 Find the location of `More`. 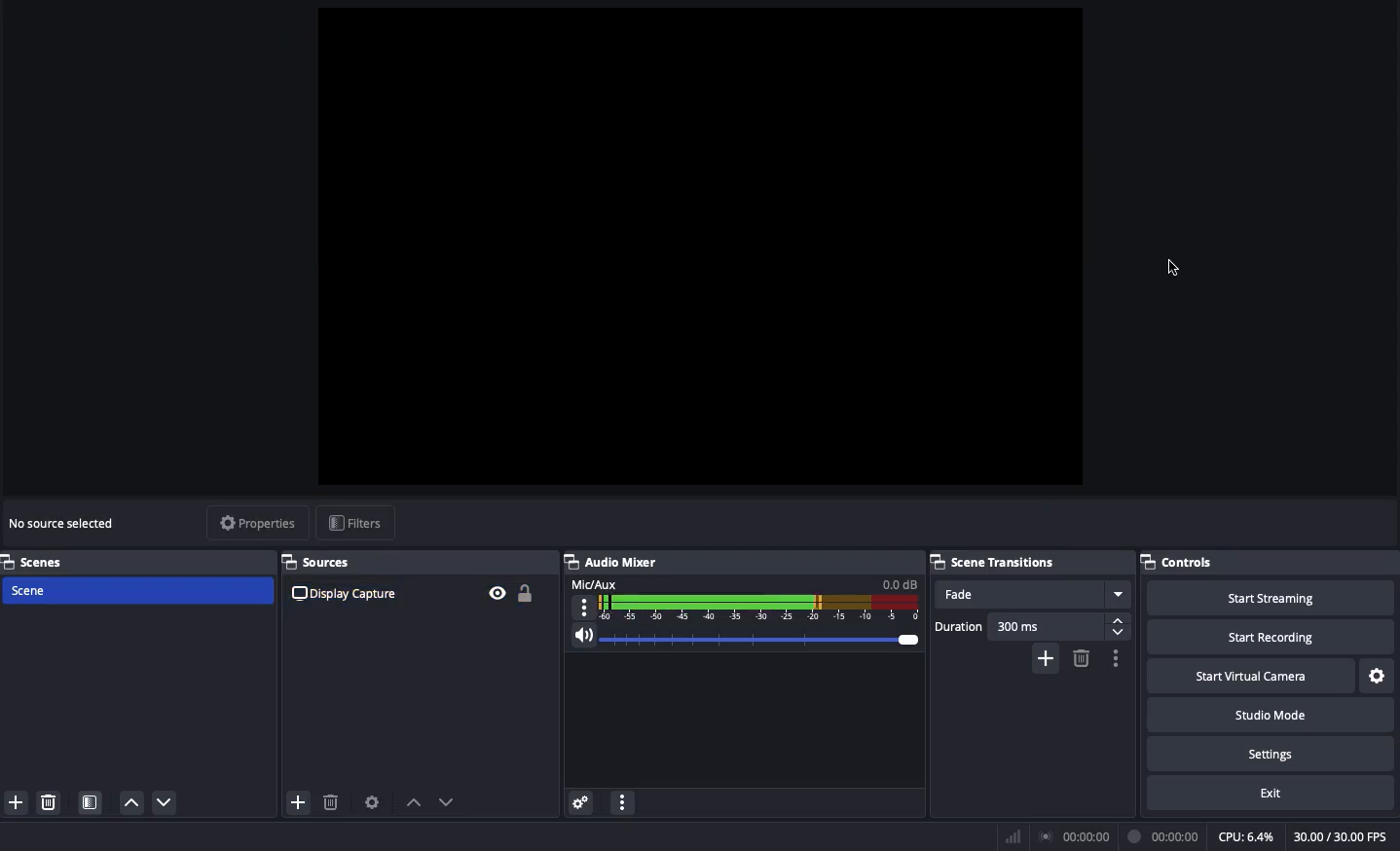

More is located at coordinates (621, 805).